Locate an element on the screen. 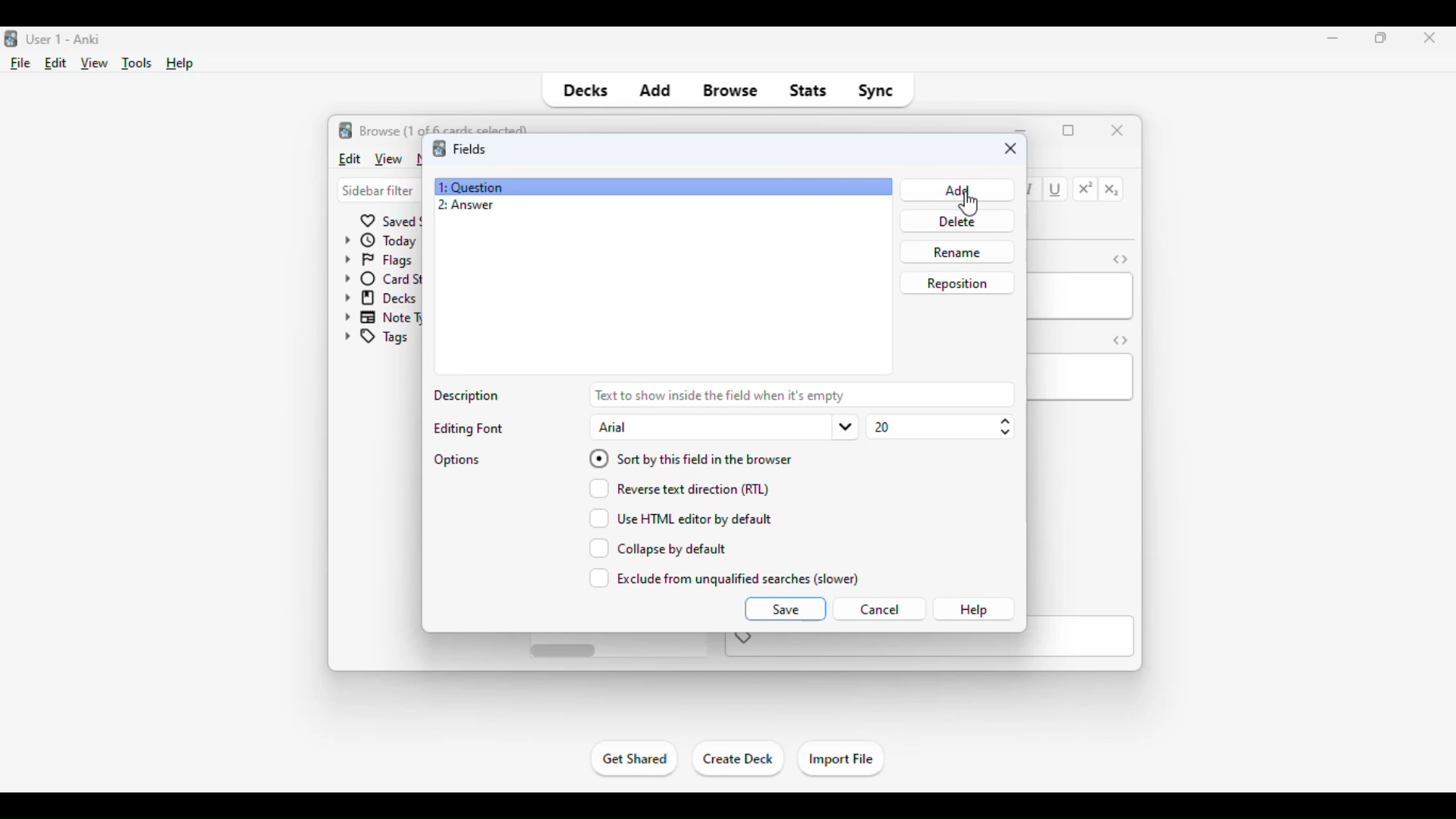  edit is located at coordinates (349, 158).